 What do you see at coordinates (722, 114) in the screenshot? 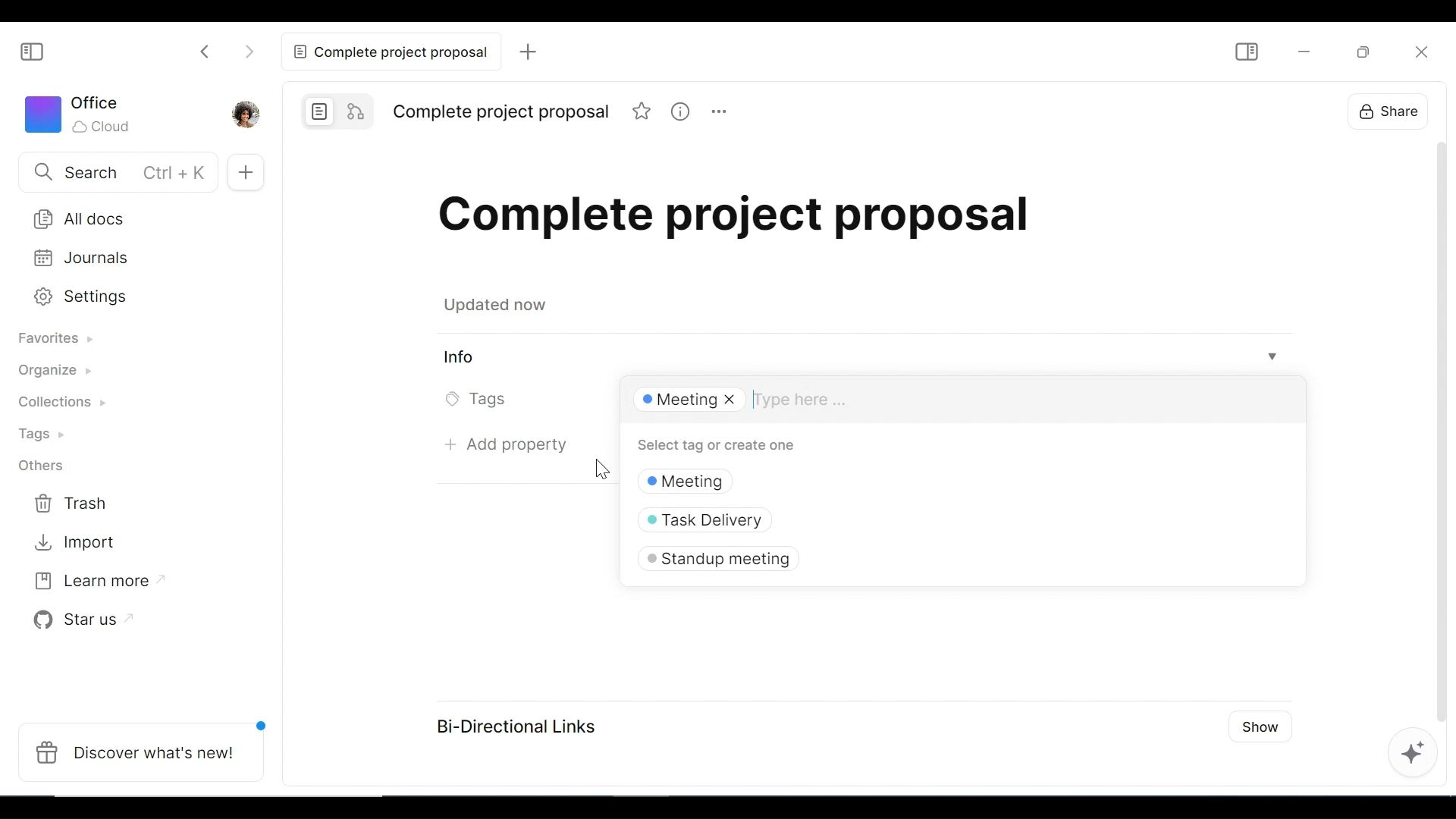
I see `more` at bounding box center [722, 114].